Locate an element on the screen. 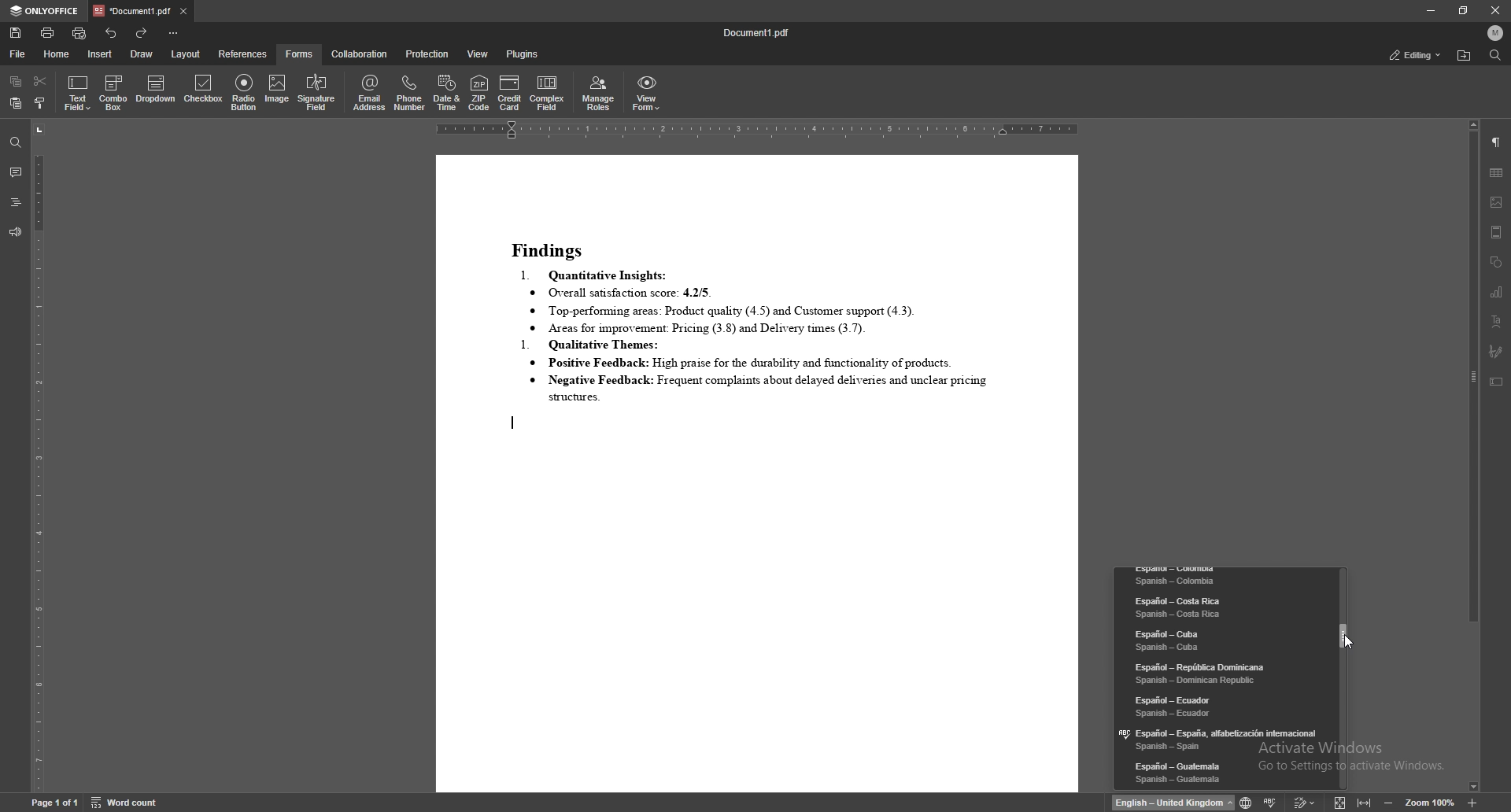  minimize is located at coordinates (1431, 10).